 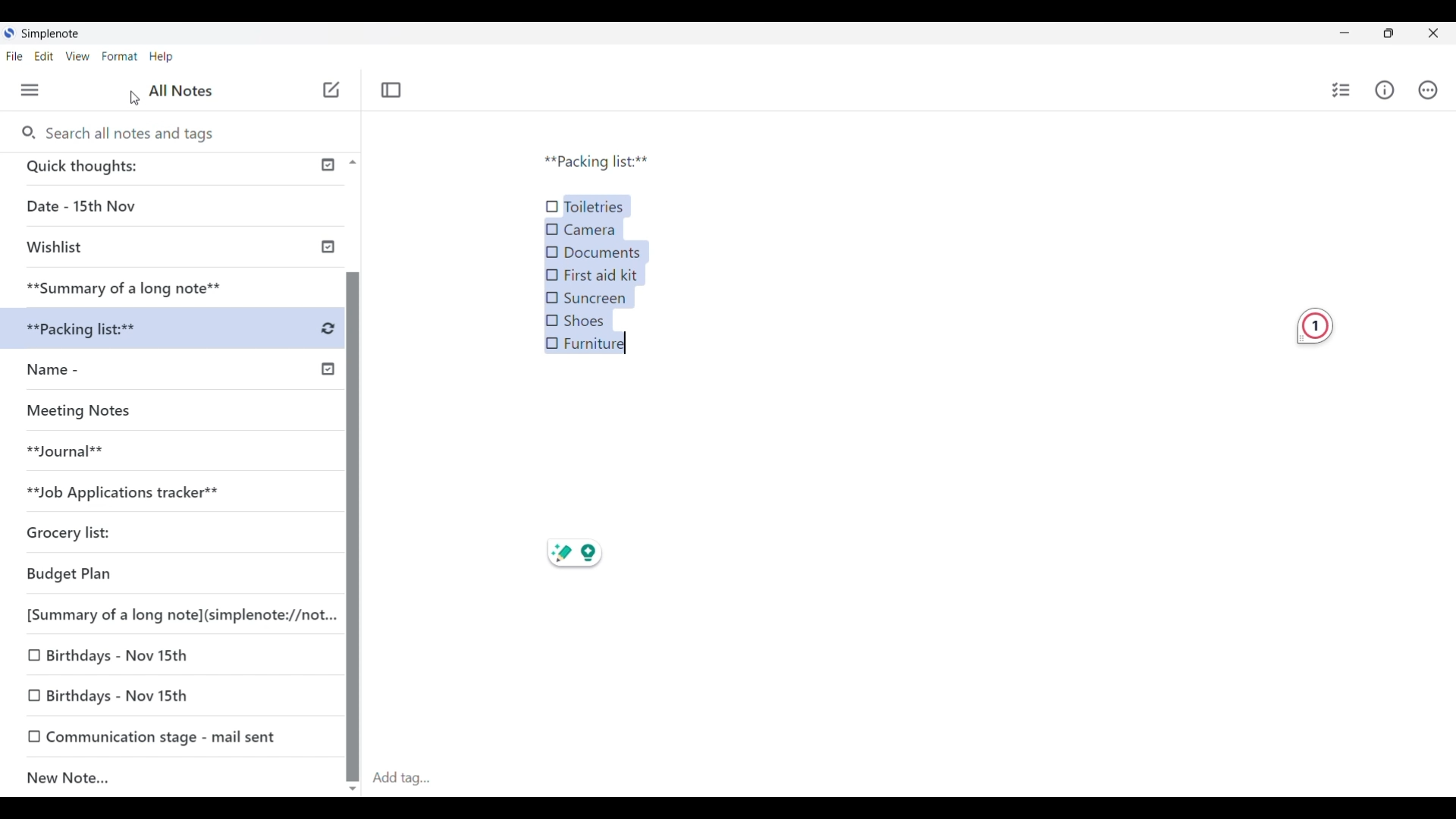 What do you see at coordinates (1315, 326) in the screenshot?
I see `Grammarly extension` at bounding box center [1315, 326].